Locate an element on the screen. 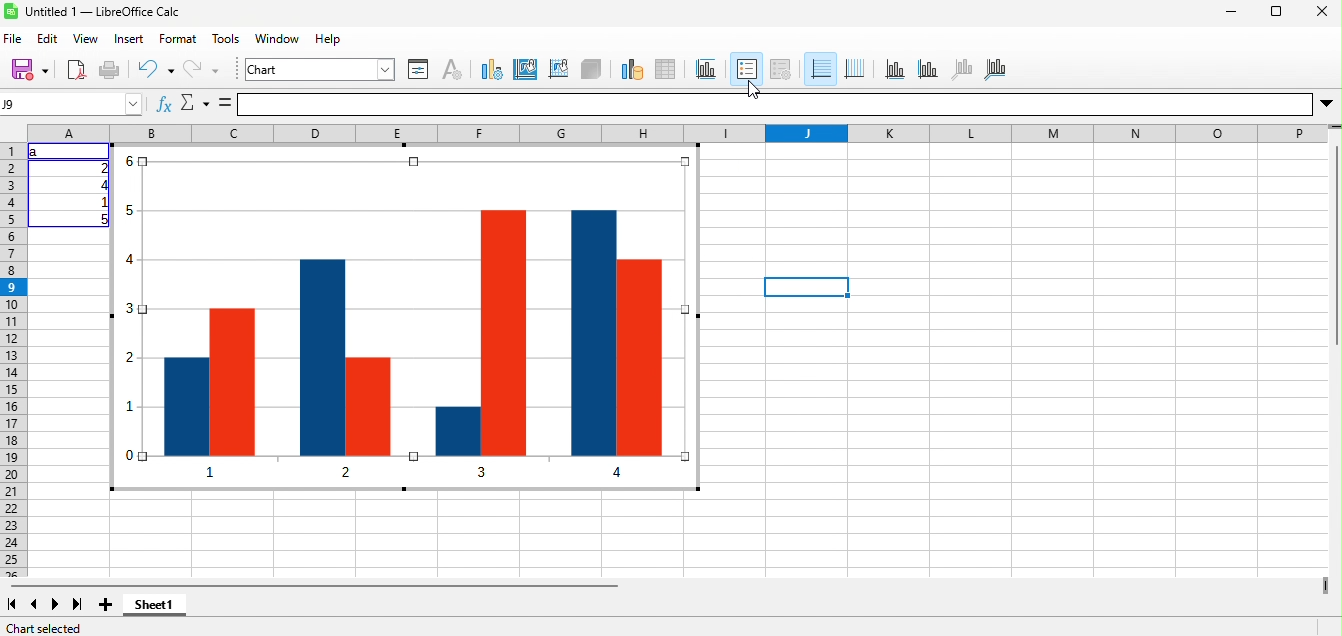  insert is located at coordinates (130, 40).